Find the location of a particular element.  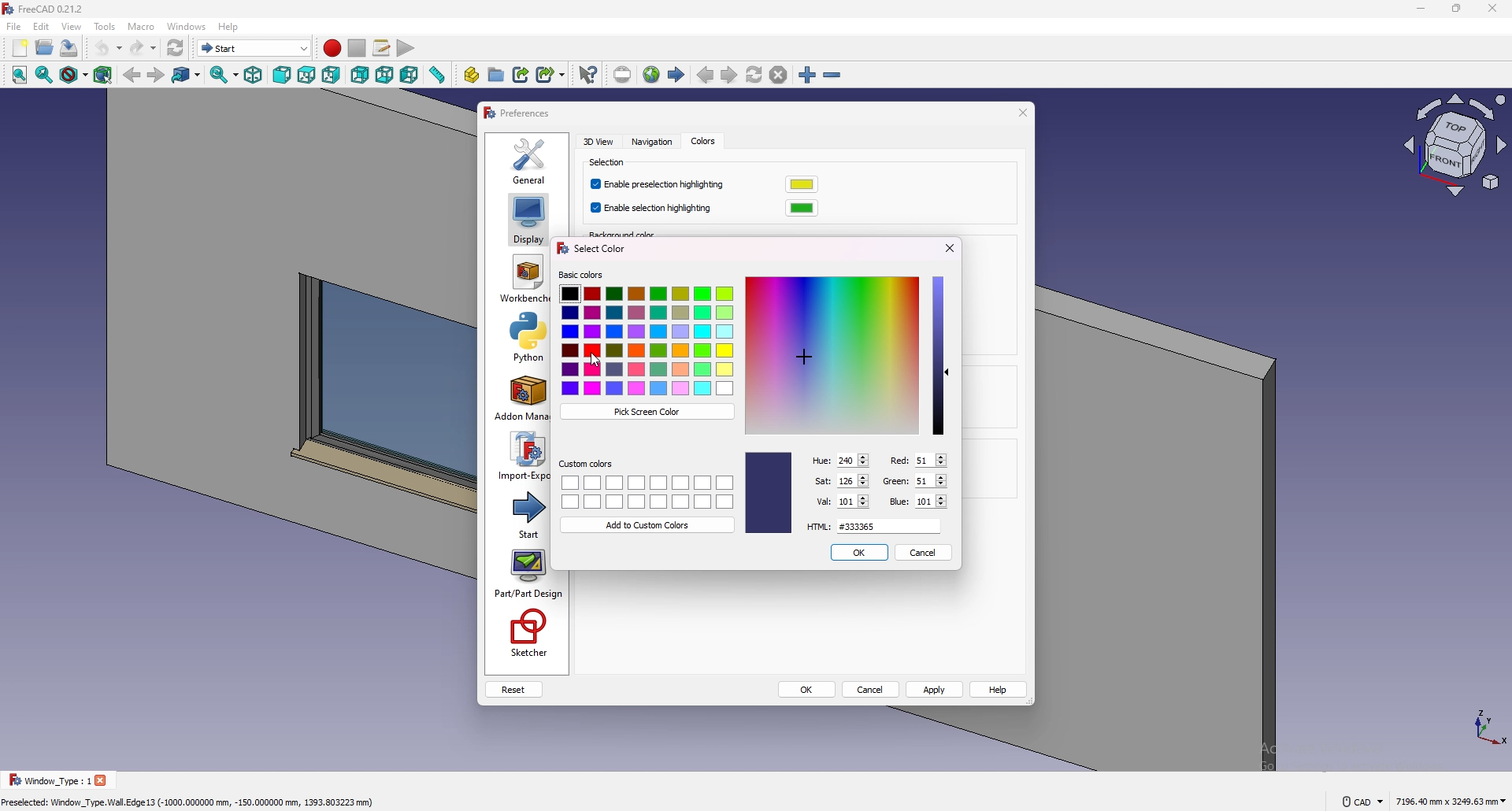

measure distance is located at coordinates (438, 75).